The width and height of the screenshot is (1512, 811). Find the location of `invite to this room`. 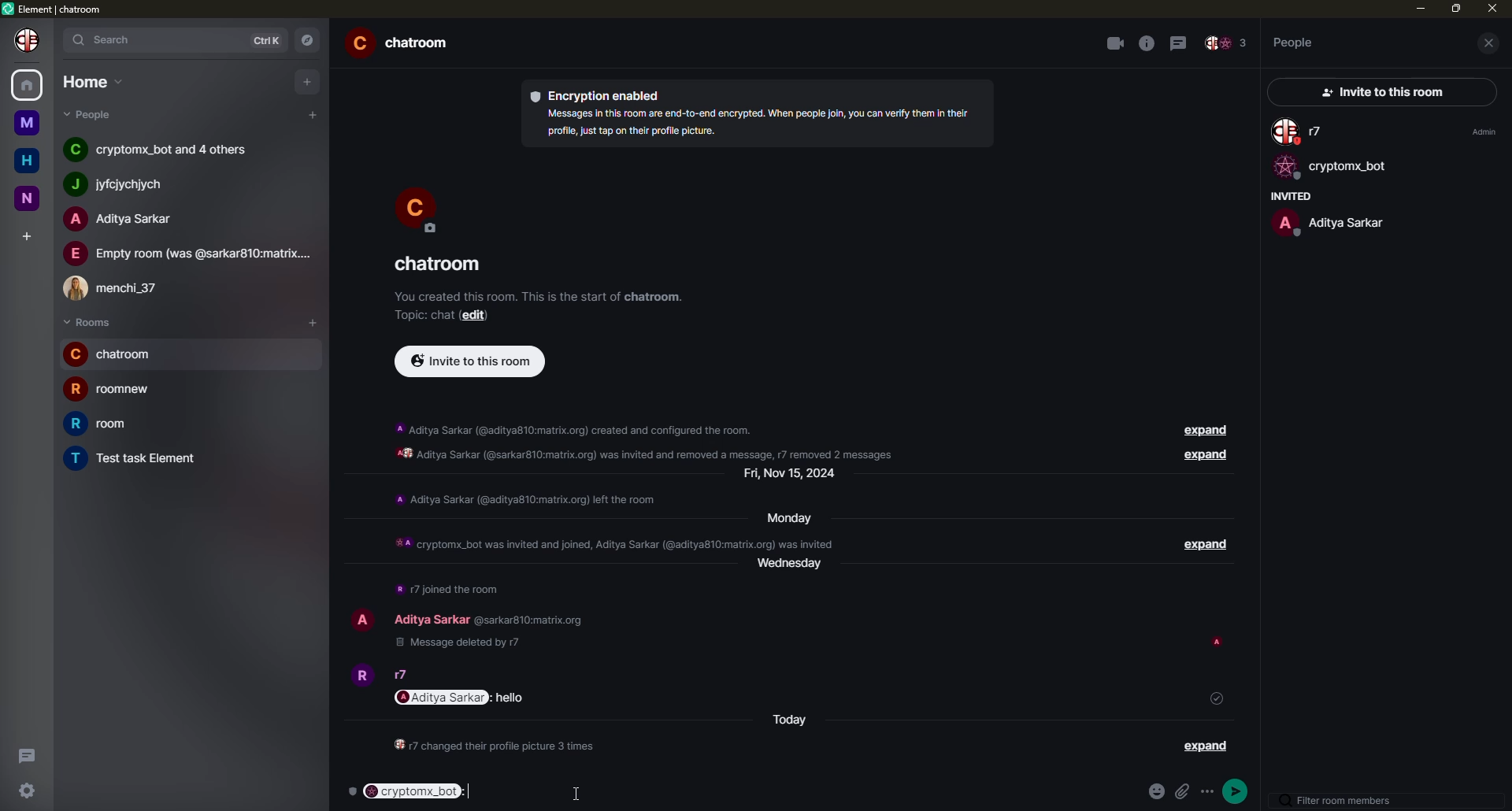

invite to this room is located at coordinates (470, 360).